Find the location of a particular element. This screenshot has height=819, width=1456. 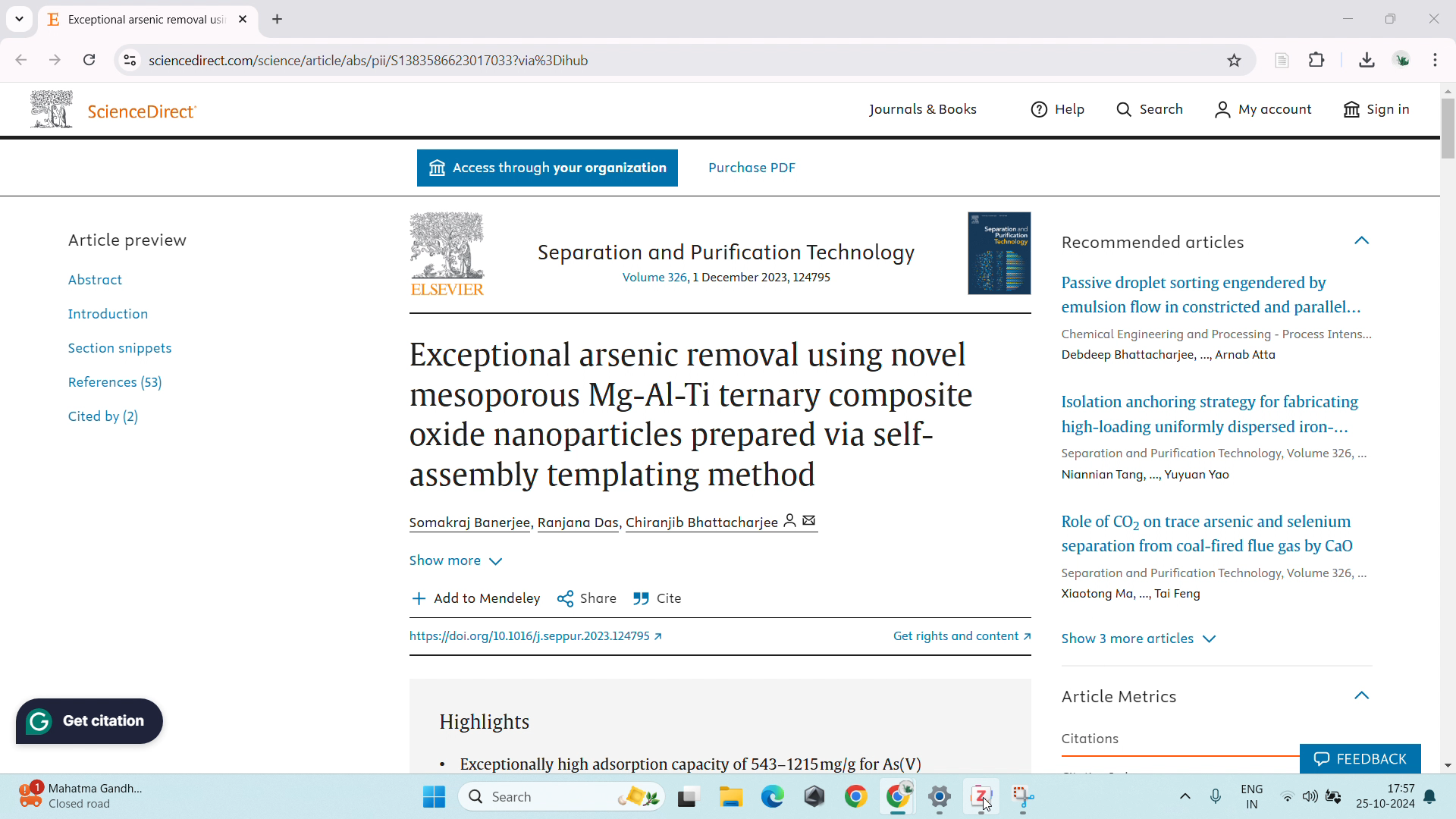

Cite is located at coordinates (658, 599).